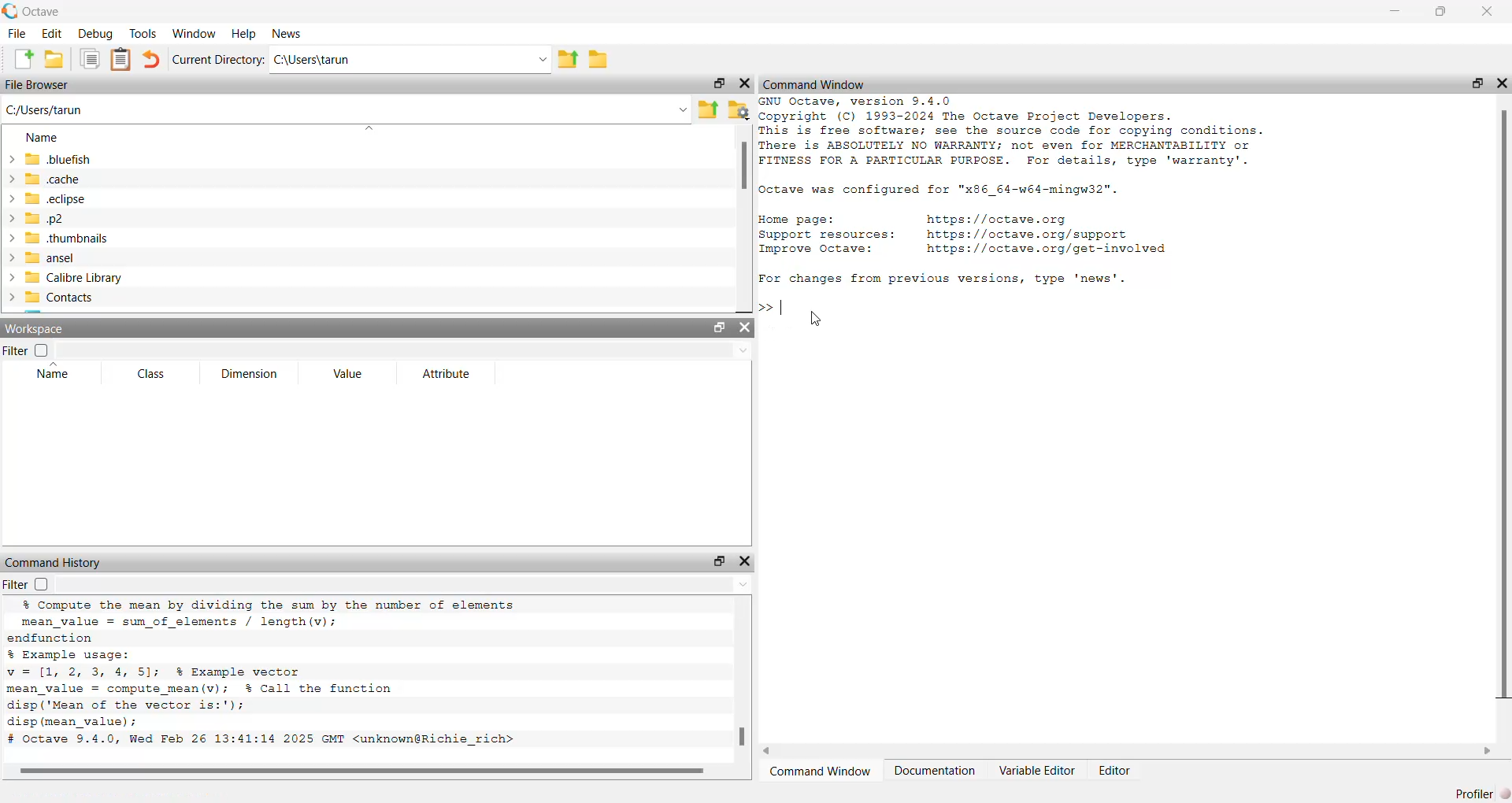 Image resolution: width=1512 pixels, height=803 pixels. What do you see at coordinates (52, 179) in the screenshot?
I see `.cache` at bounding box center [52, 179].